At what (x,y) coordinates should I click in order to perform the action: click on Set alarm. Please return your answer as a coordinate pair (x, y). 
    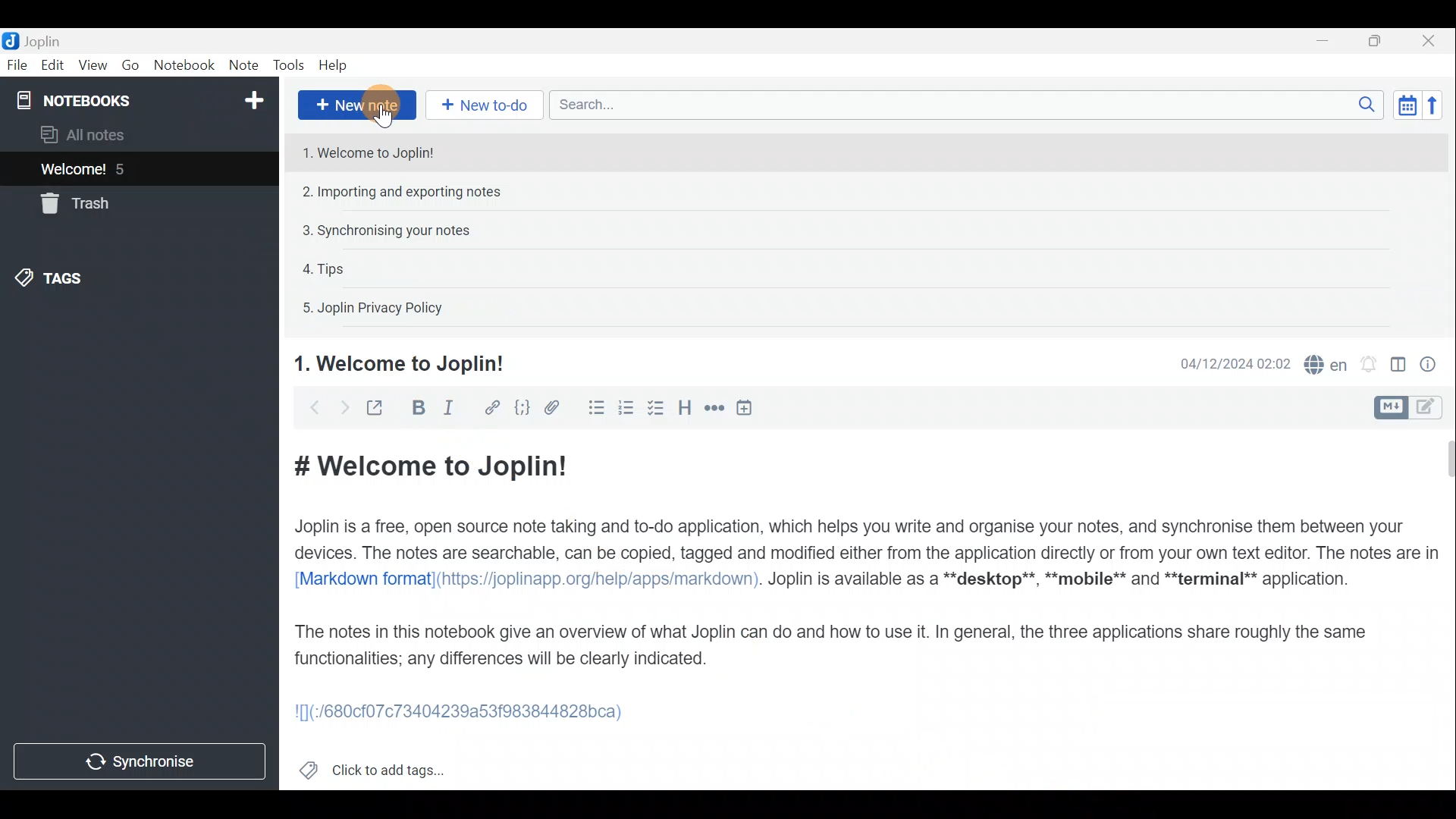
    Looking at the image, I should click on (1370, 364).